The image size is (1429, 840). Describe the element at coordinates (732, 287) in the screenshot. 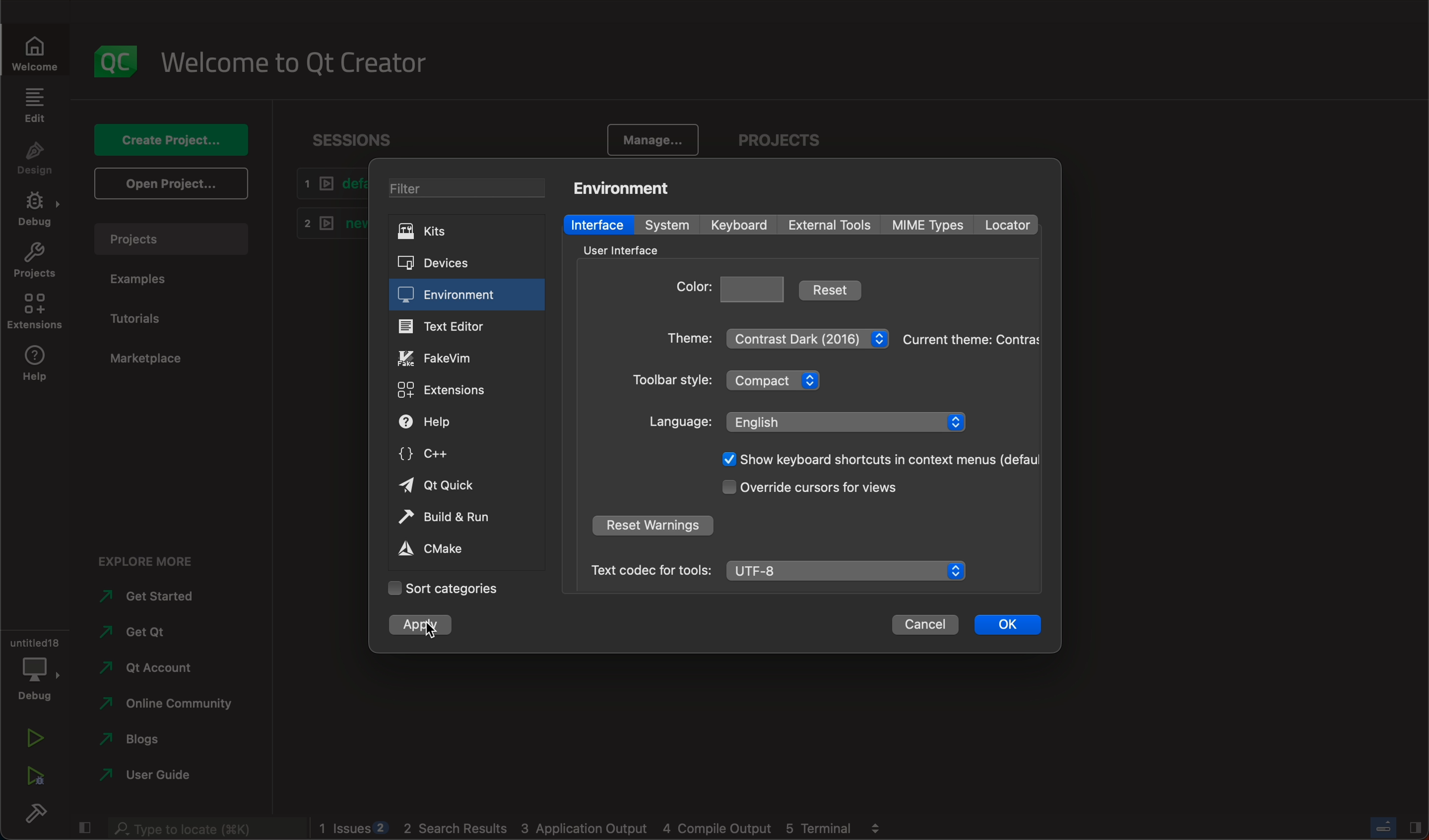

I see `color` at that location.